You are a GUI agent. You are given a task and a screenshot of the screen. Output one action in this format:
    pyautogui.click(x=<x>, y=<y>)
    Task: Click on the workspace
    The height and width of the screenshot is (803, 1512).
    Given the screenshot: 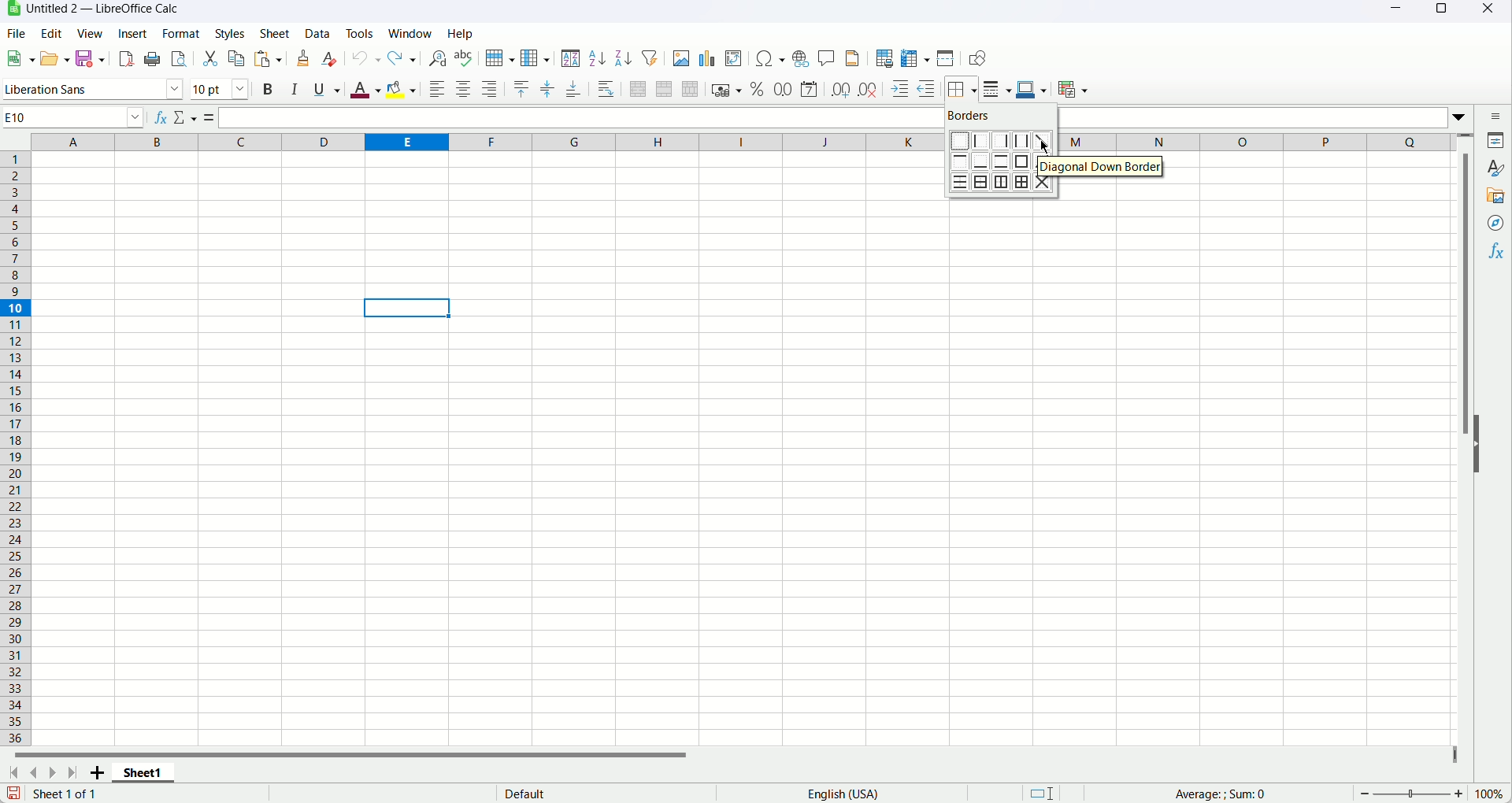 What is the action you would take?
    pyautogui.click(x=1201, y=473)
    